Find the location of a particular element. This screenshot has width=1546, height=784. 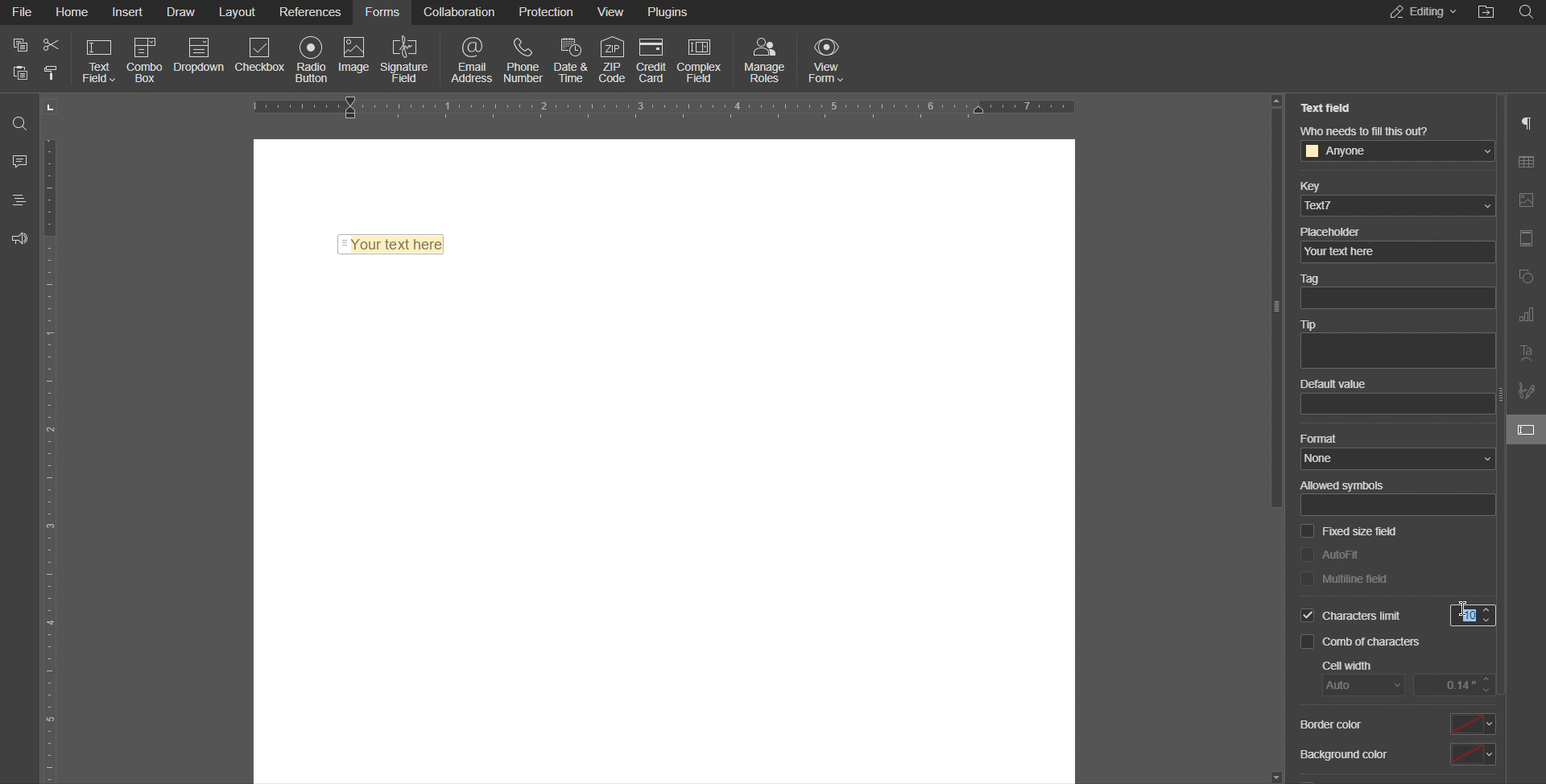

File is located at coordinates (20, 12).